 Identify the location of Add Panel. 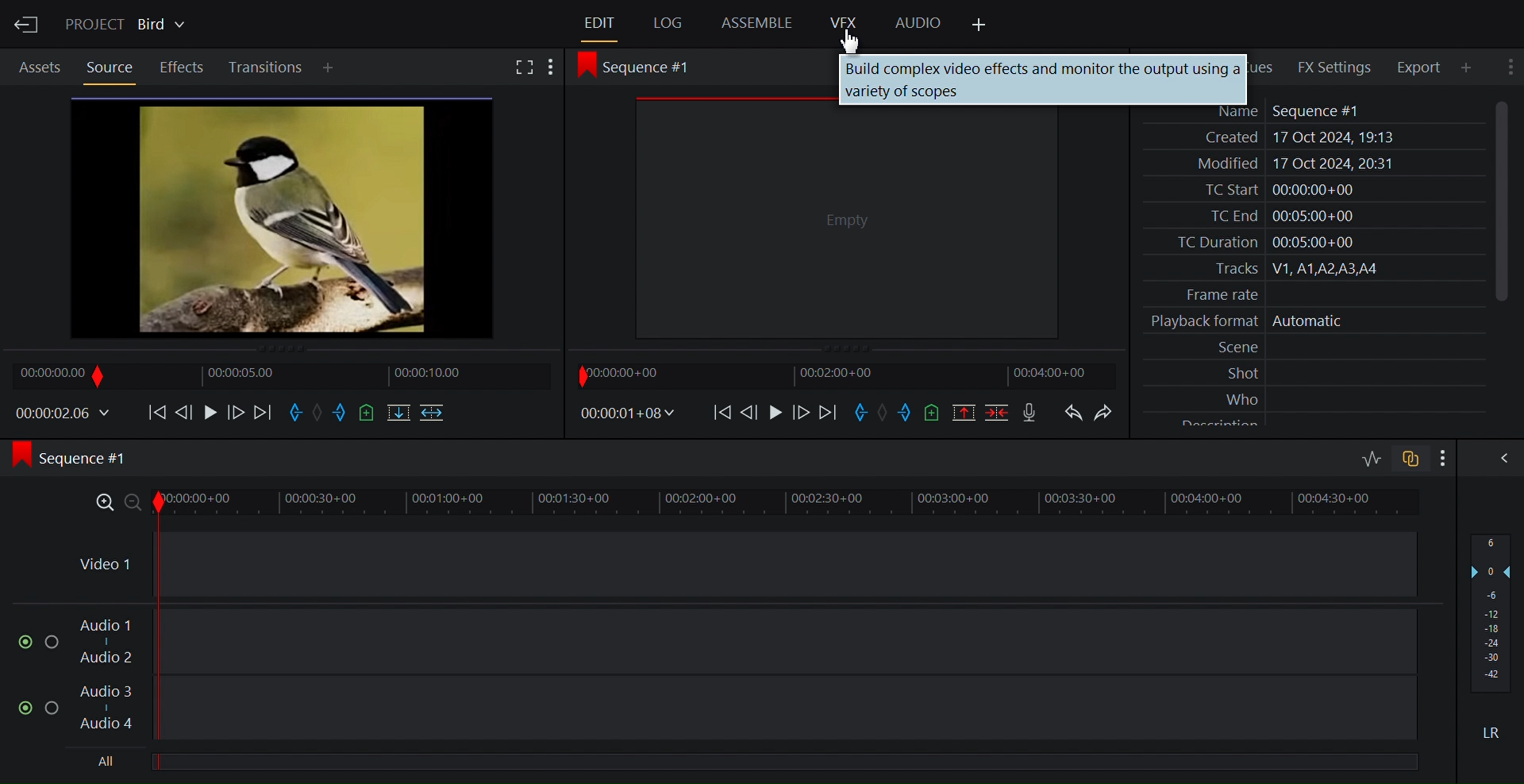
(980, 25).